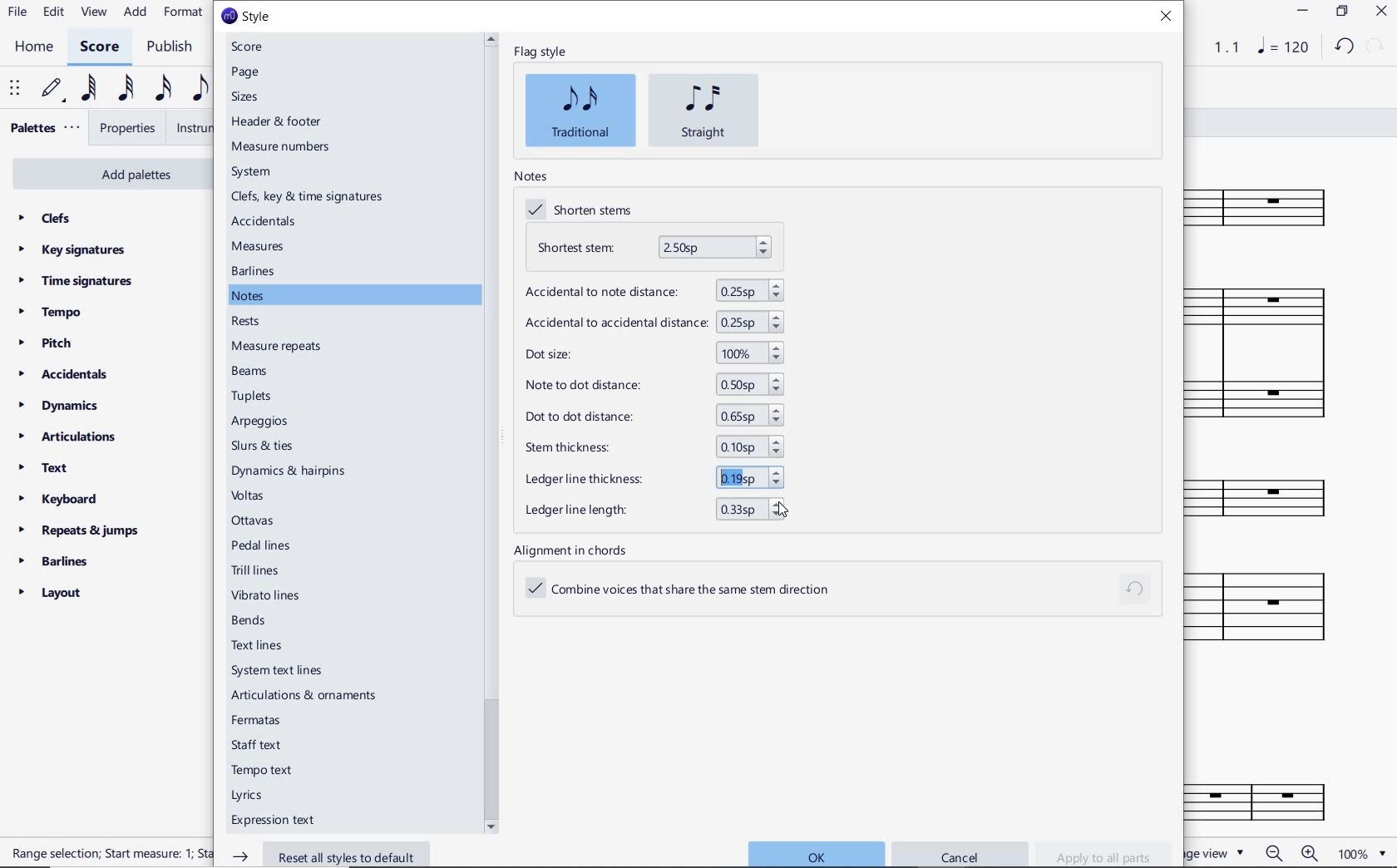 The image size is (1397, 868). Describe the element at coordinates (255, 718) in the screenshot. I see `fermatas` at that location.